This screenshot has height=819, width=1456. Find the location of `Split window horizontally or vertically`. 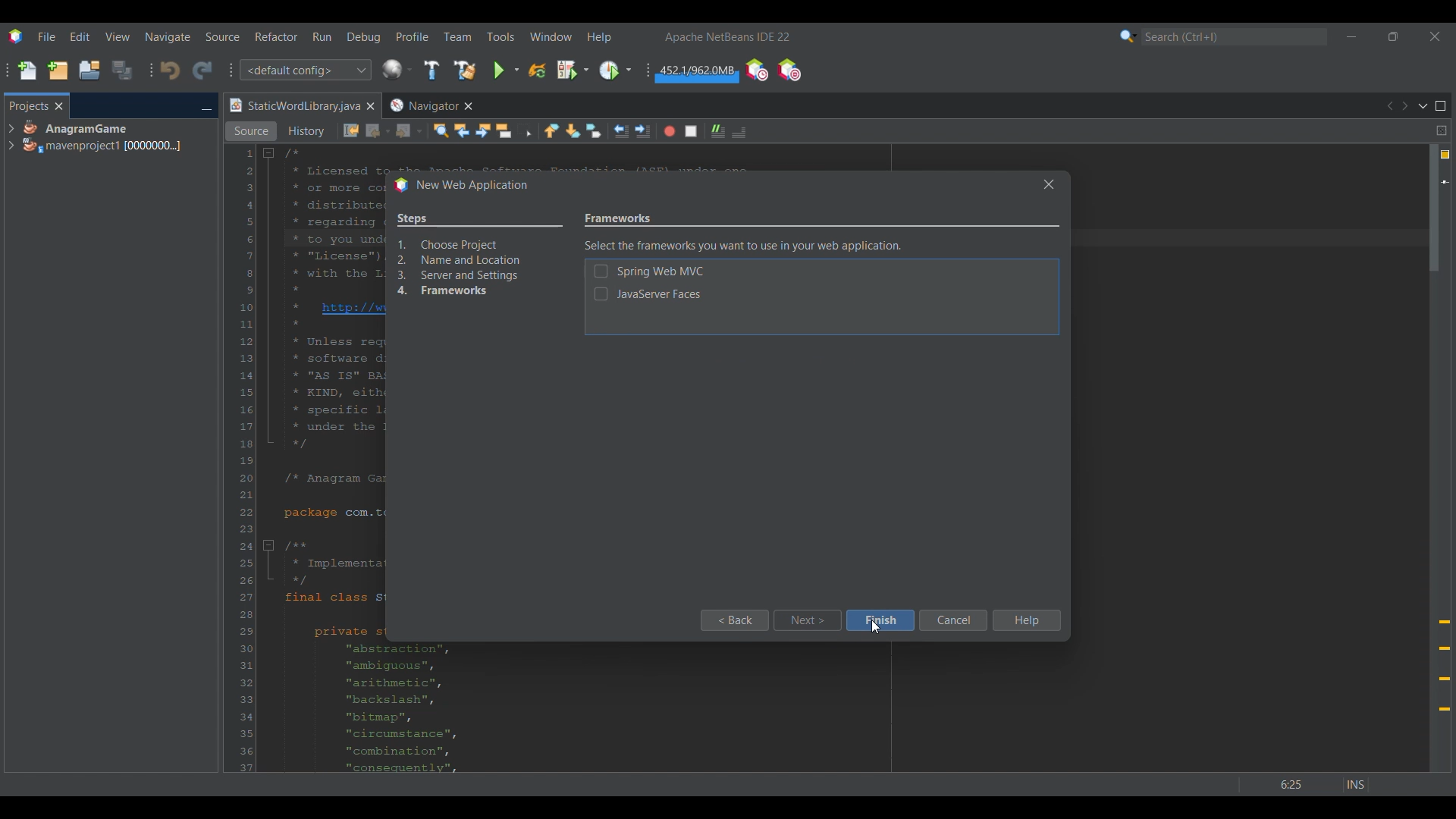

Split window horizontally or vertically is located at coordinates (1441, 130).